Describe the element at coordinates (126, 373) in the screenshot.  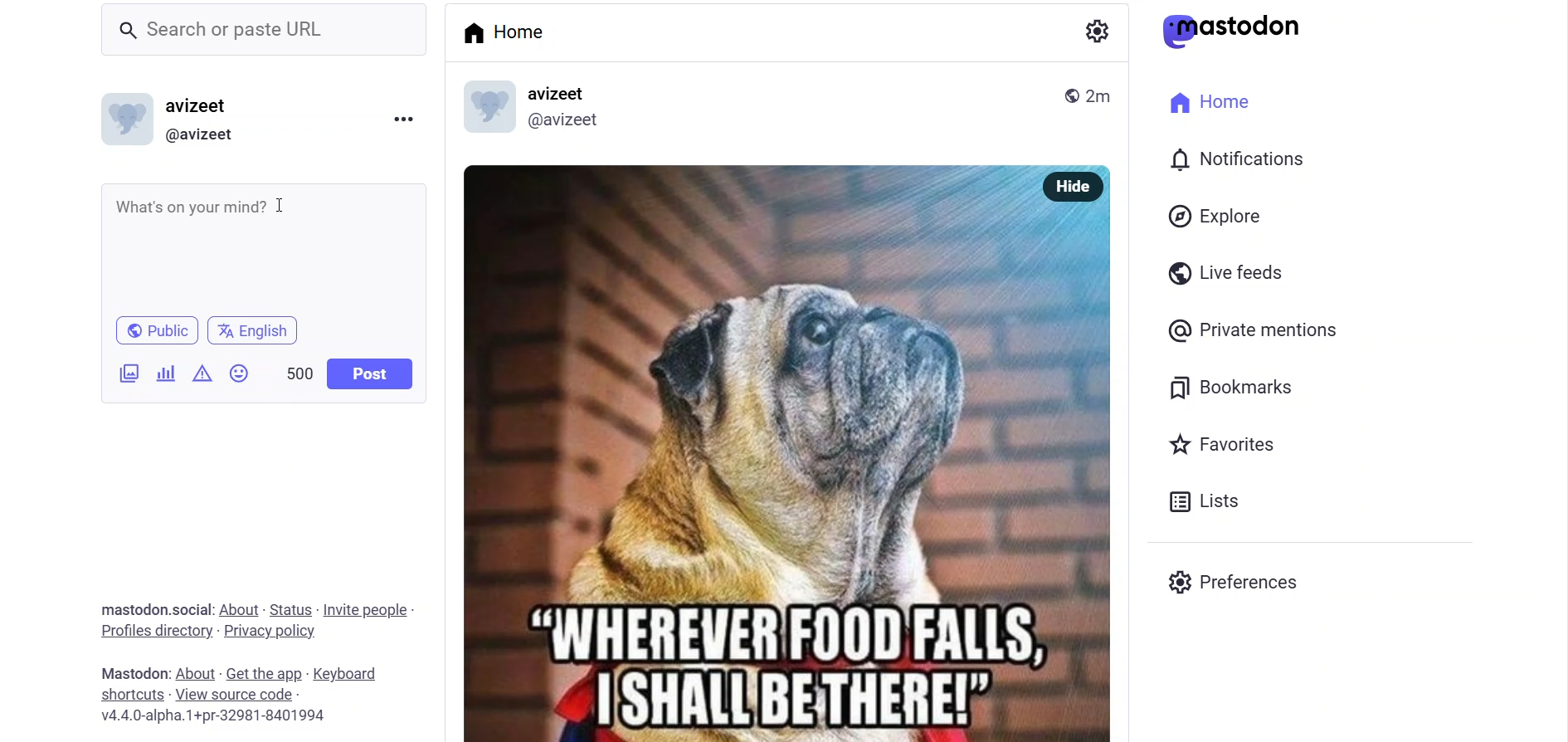
I see `image/videos` at that location.